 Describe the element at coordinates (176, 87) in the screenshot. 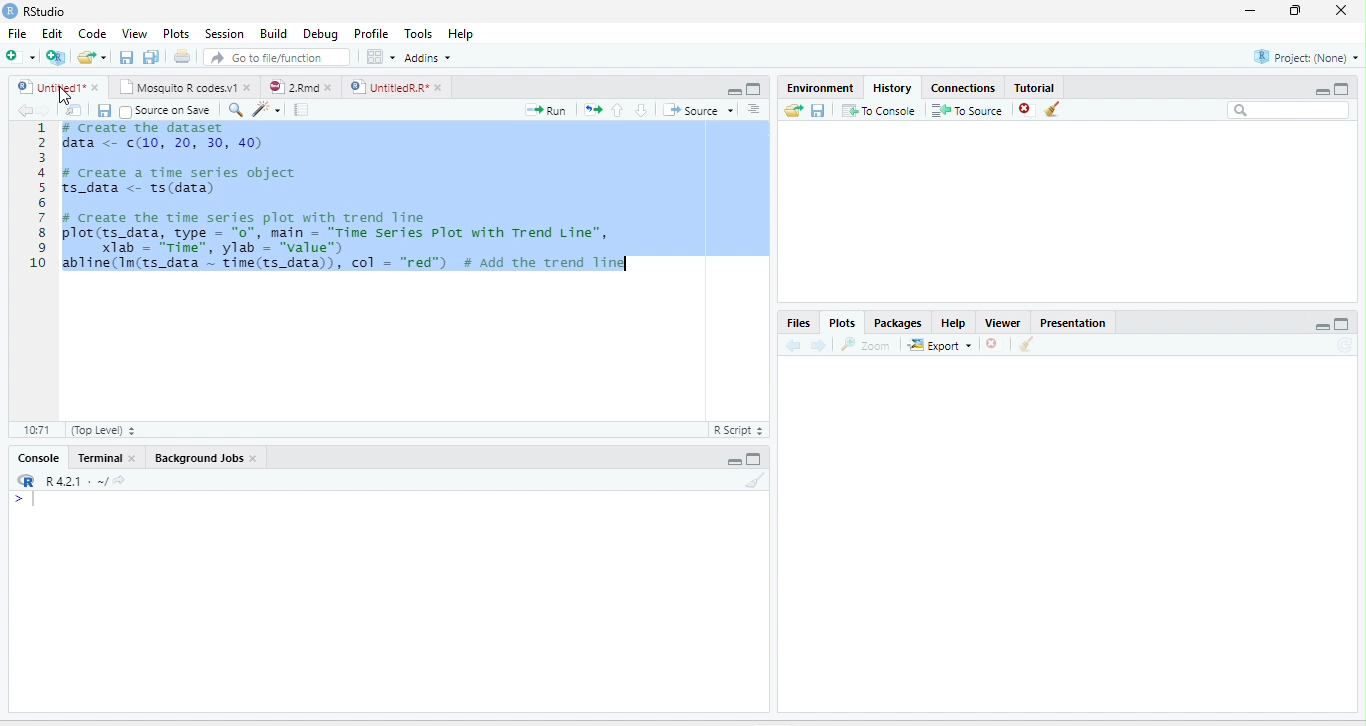

I see `Mosquito R codes.v1` at that location.